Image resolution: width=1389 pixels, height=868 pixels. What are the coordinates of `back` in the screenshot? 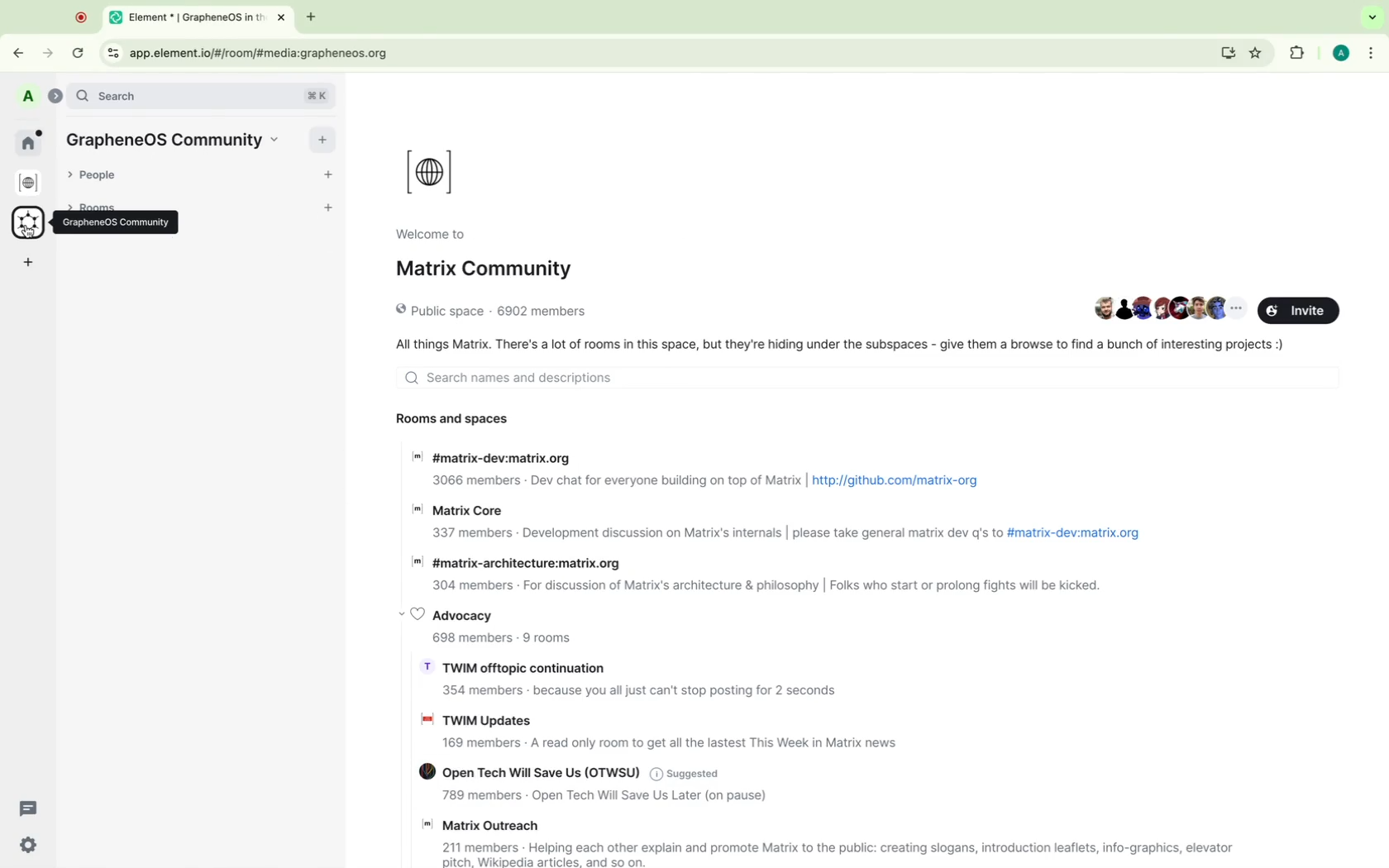 It's located at (21, 50).